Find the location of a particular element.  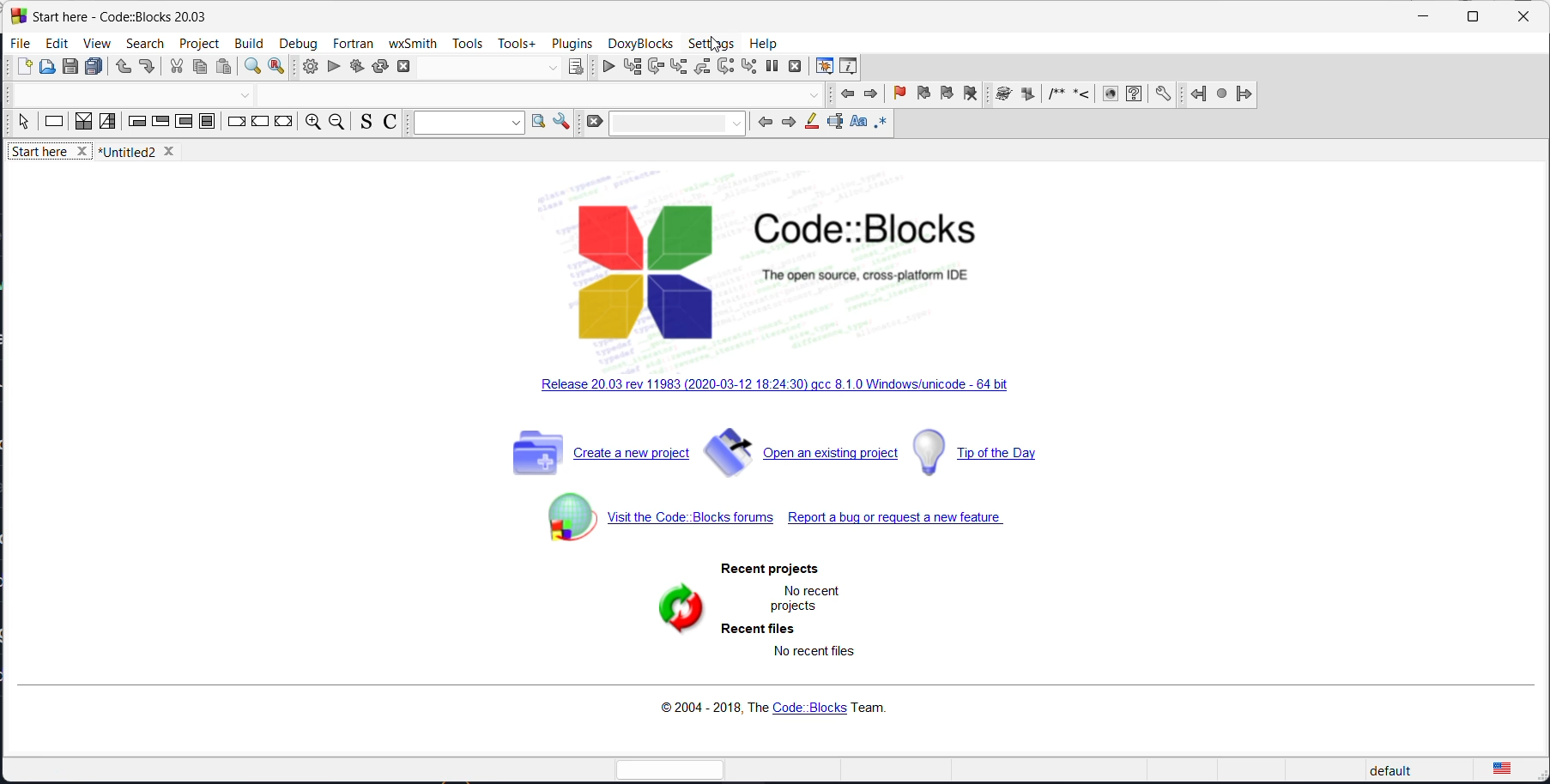

step into is located at coordinates (680, 68).